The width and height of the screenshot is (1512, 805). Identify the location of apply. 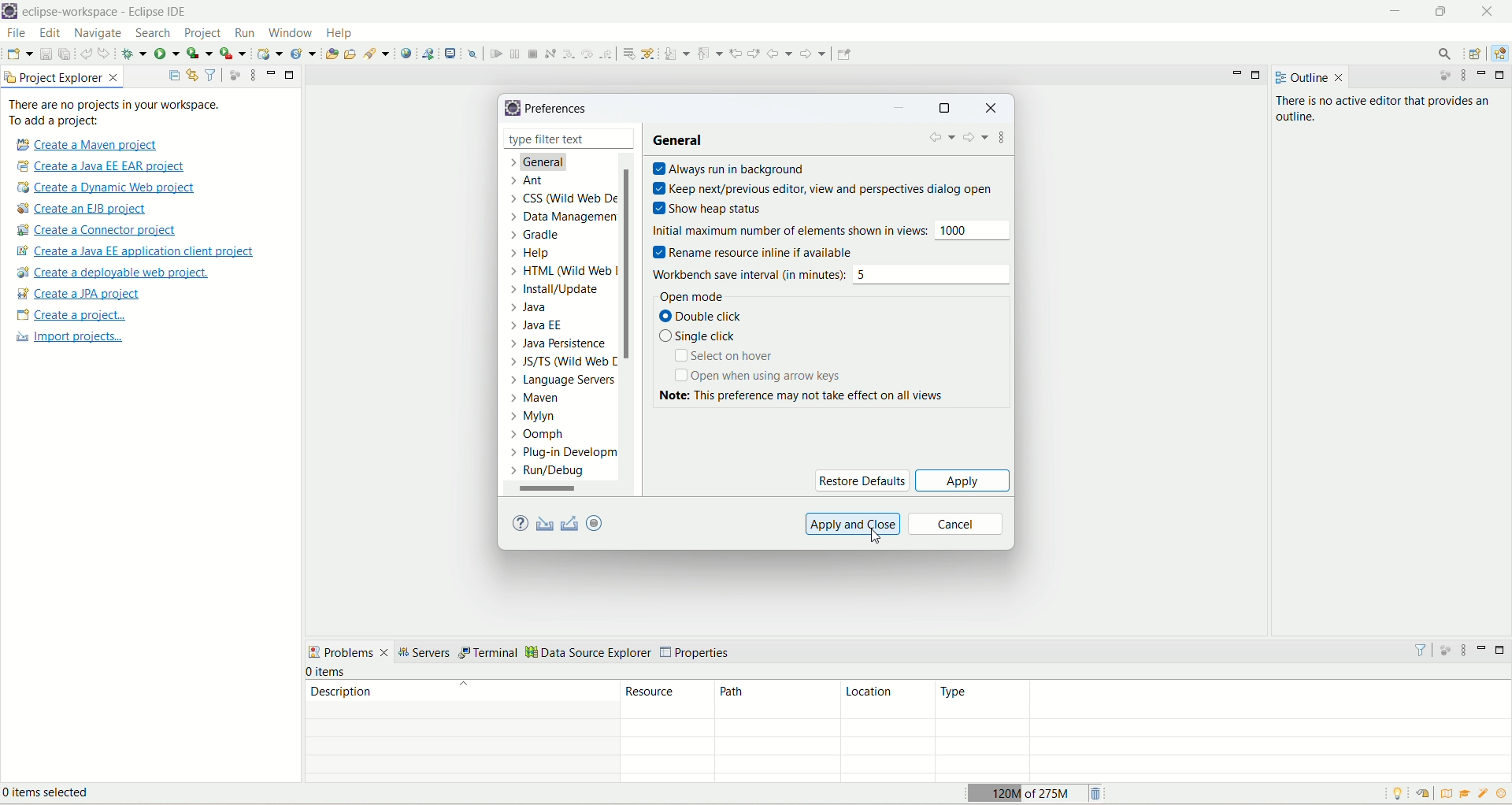
(963, 480).